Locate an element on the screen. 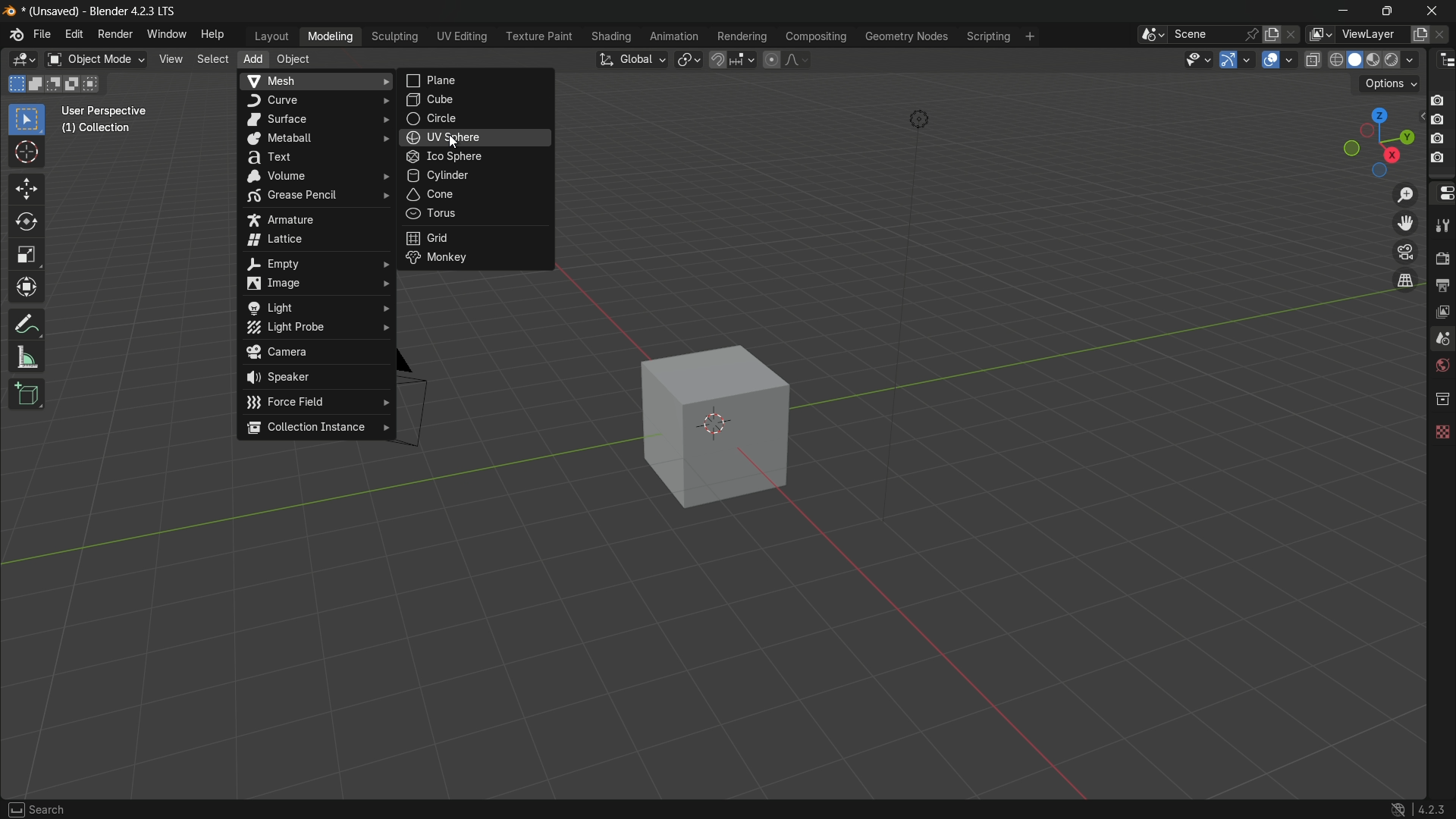 This screenshot has width=1456, height=819. transformation orientation is located at coordinates (632, 59).